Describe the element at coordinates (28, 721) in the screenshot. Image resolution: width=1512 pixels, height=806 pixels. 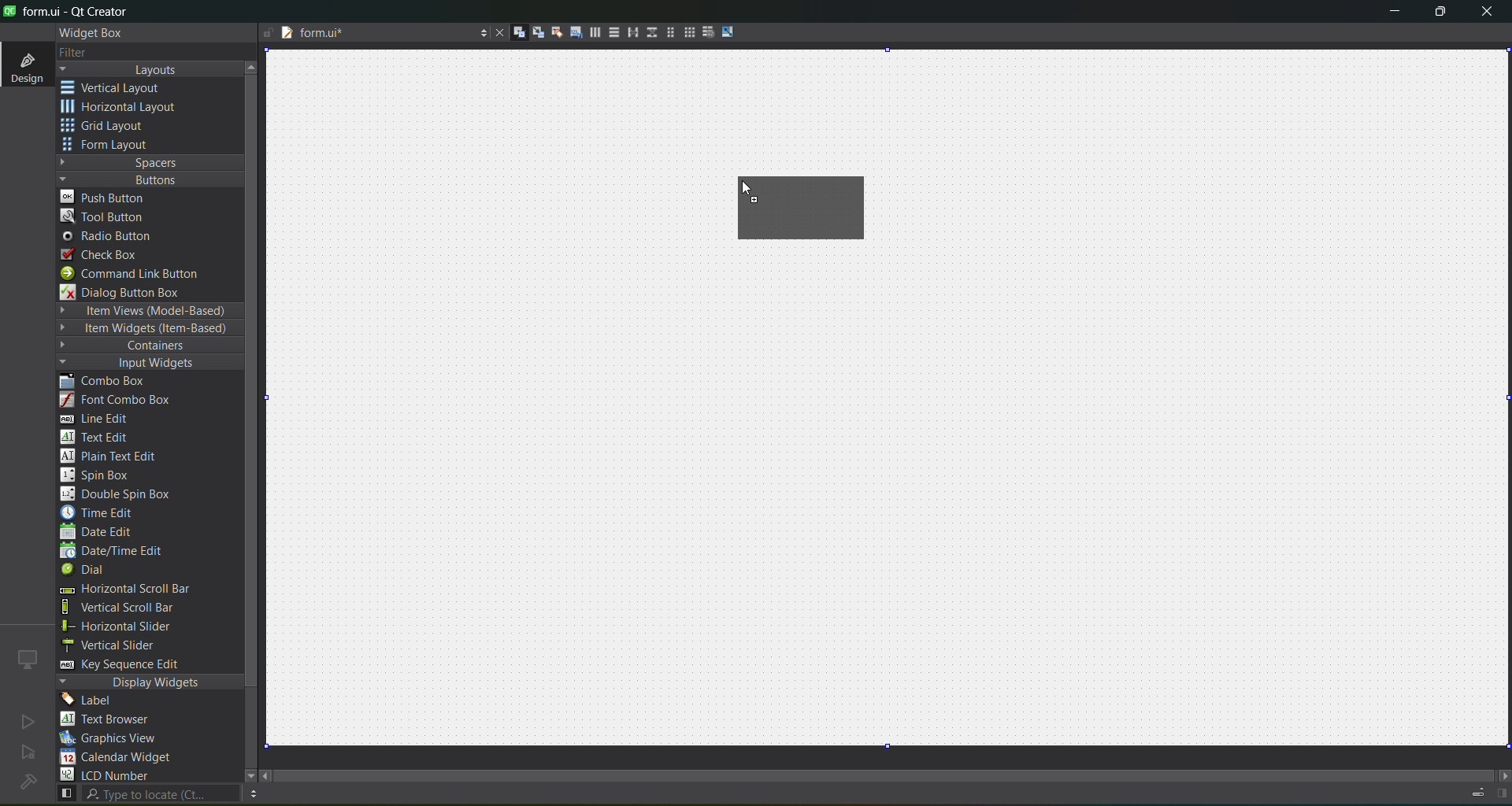
I see `no active project` at that location.